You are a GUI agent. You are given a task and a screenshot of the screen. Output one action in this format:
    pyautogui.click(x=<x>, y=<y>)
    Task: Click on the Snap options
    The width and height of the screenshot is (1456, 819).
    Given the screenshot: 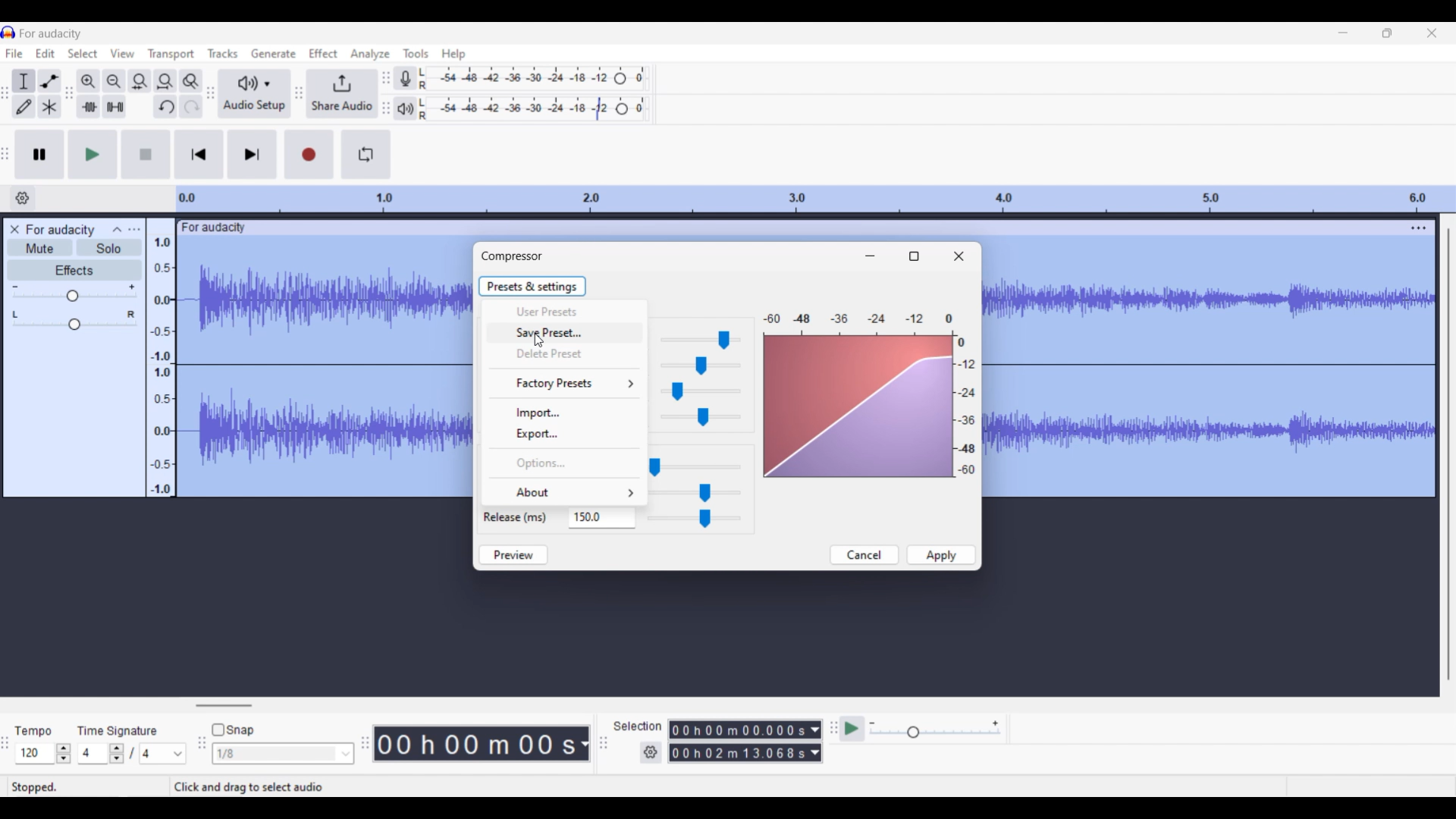 What is the action you would take?
    pyautogui.click(x=284, y=753)
    